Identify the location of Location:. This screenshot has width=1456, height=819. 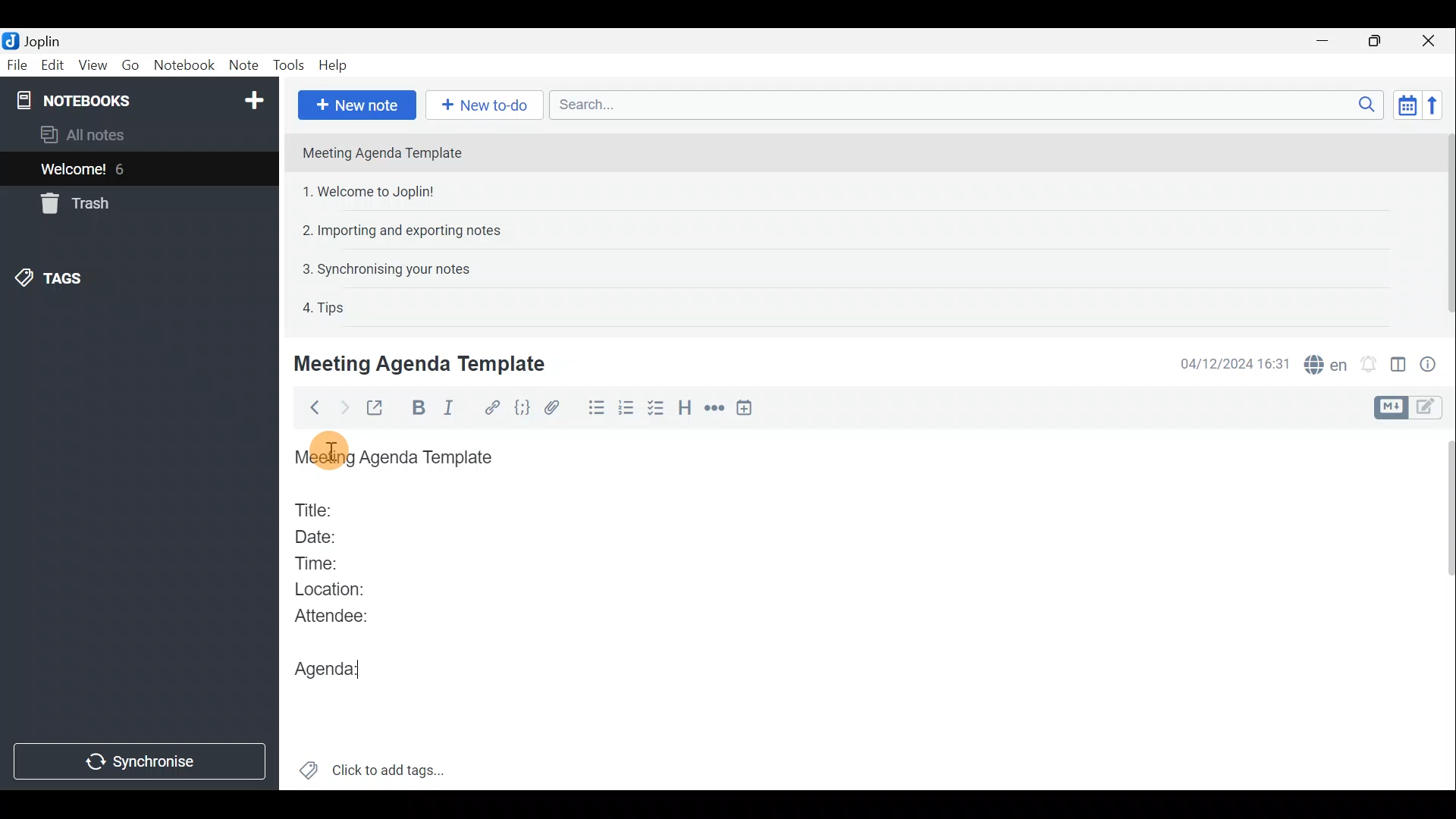
(335, 590).